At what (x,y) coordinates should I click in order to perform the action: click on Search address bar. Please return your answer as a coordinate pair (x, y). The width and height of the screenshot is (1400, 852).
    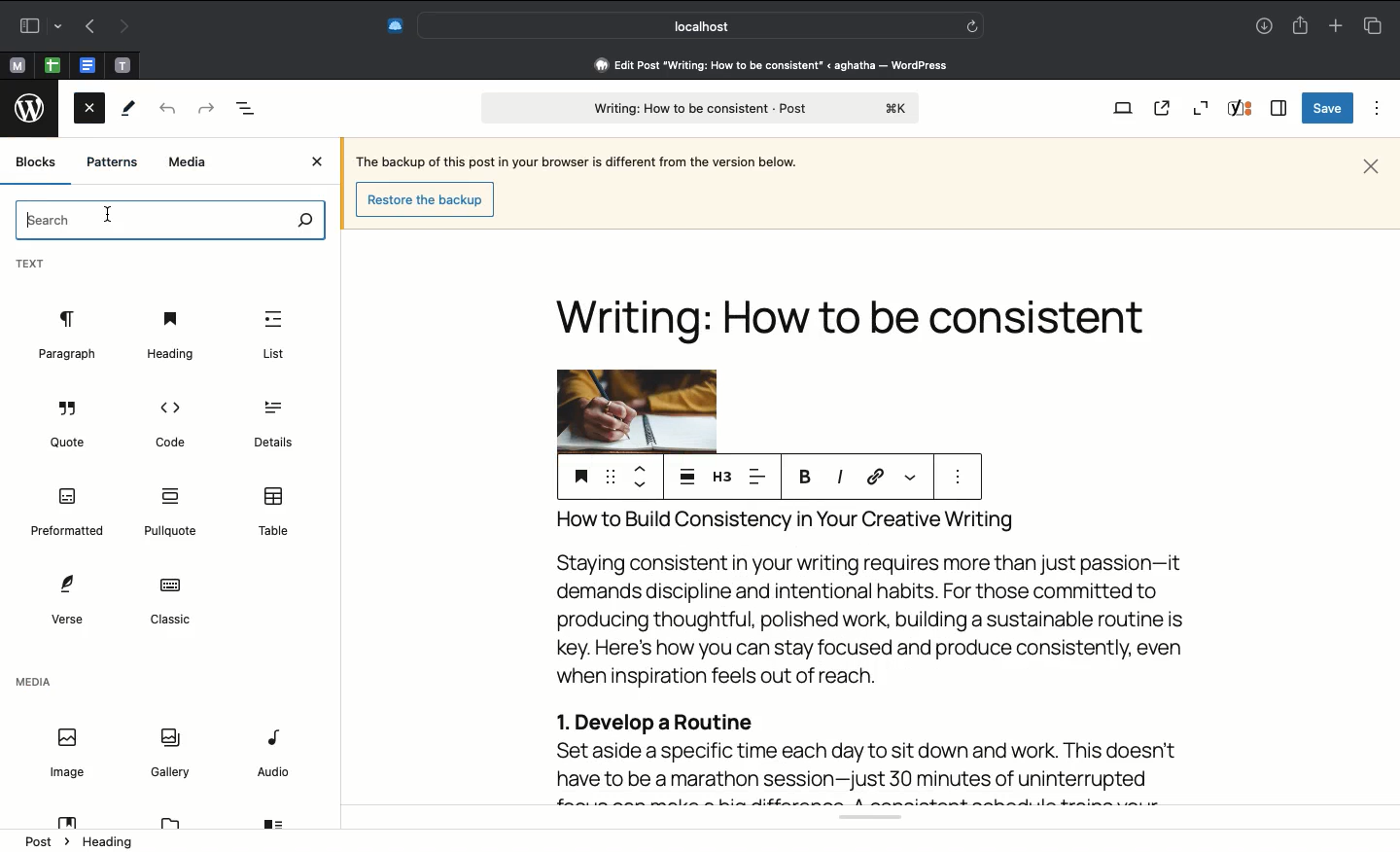
    Looking at the image, I should click on (698, 26).